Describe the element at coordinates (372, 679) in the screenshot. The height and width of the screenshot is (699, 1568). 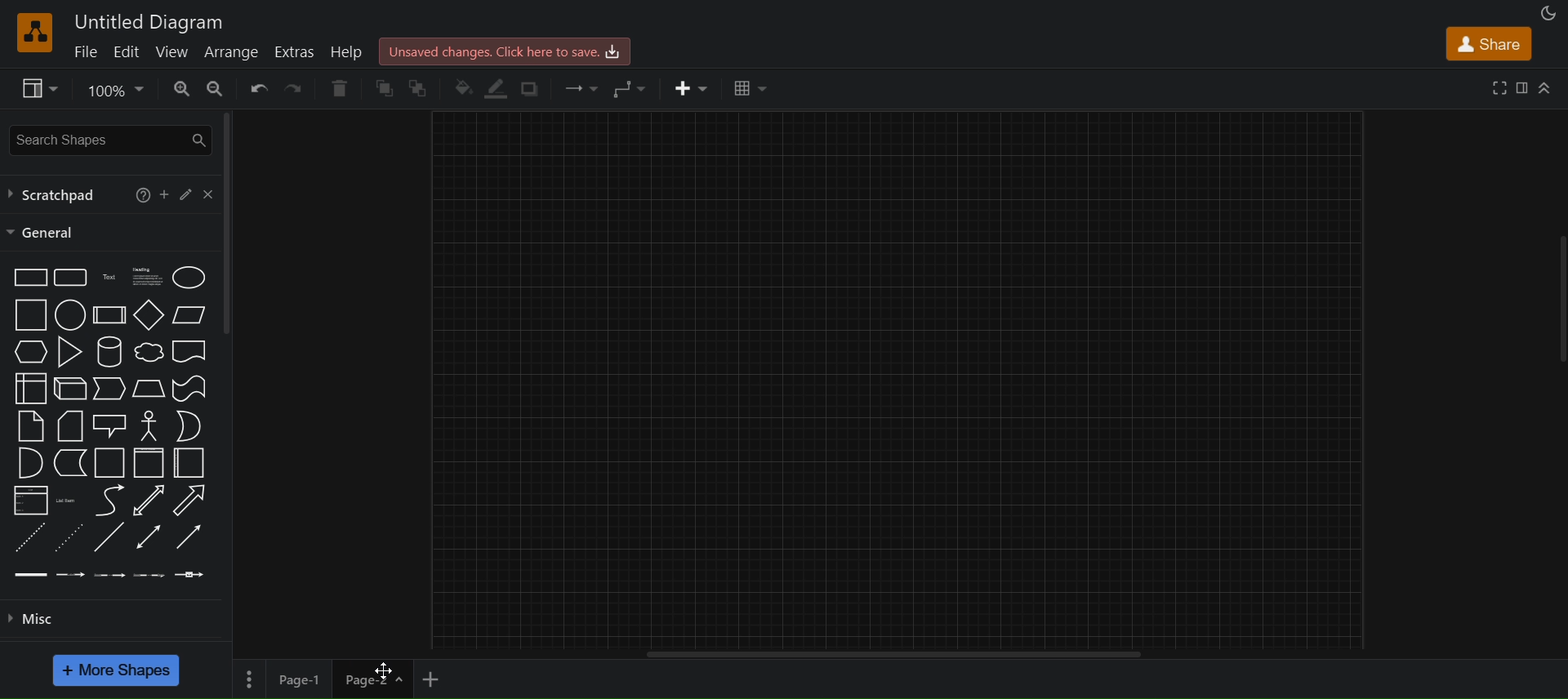
I see `page 2` at that location.